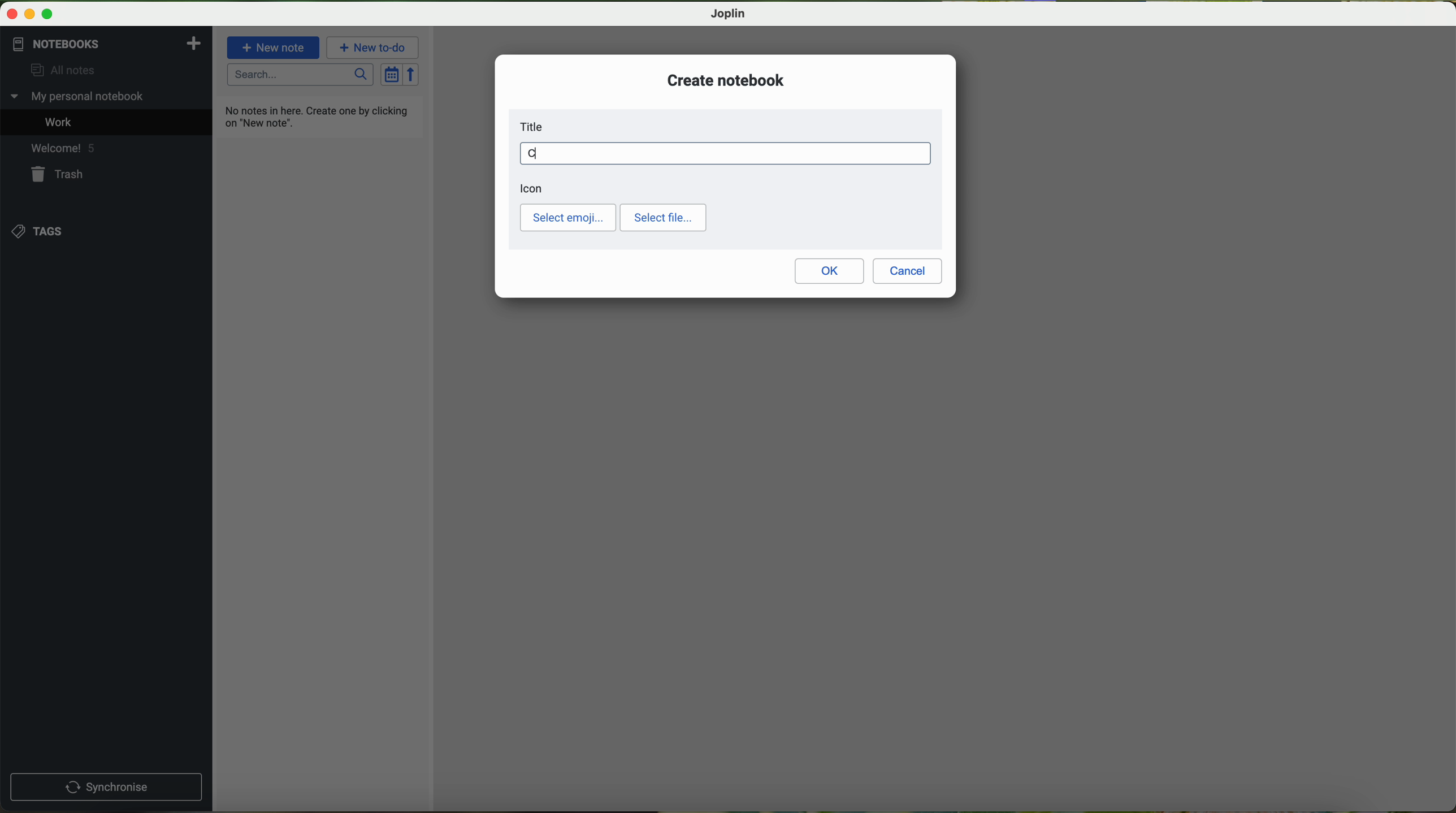 The height and width of the screenshot is (813, 1456). Describe the element at coordinates (58, 71) in the screenshot. I see `all notes` at that location.